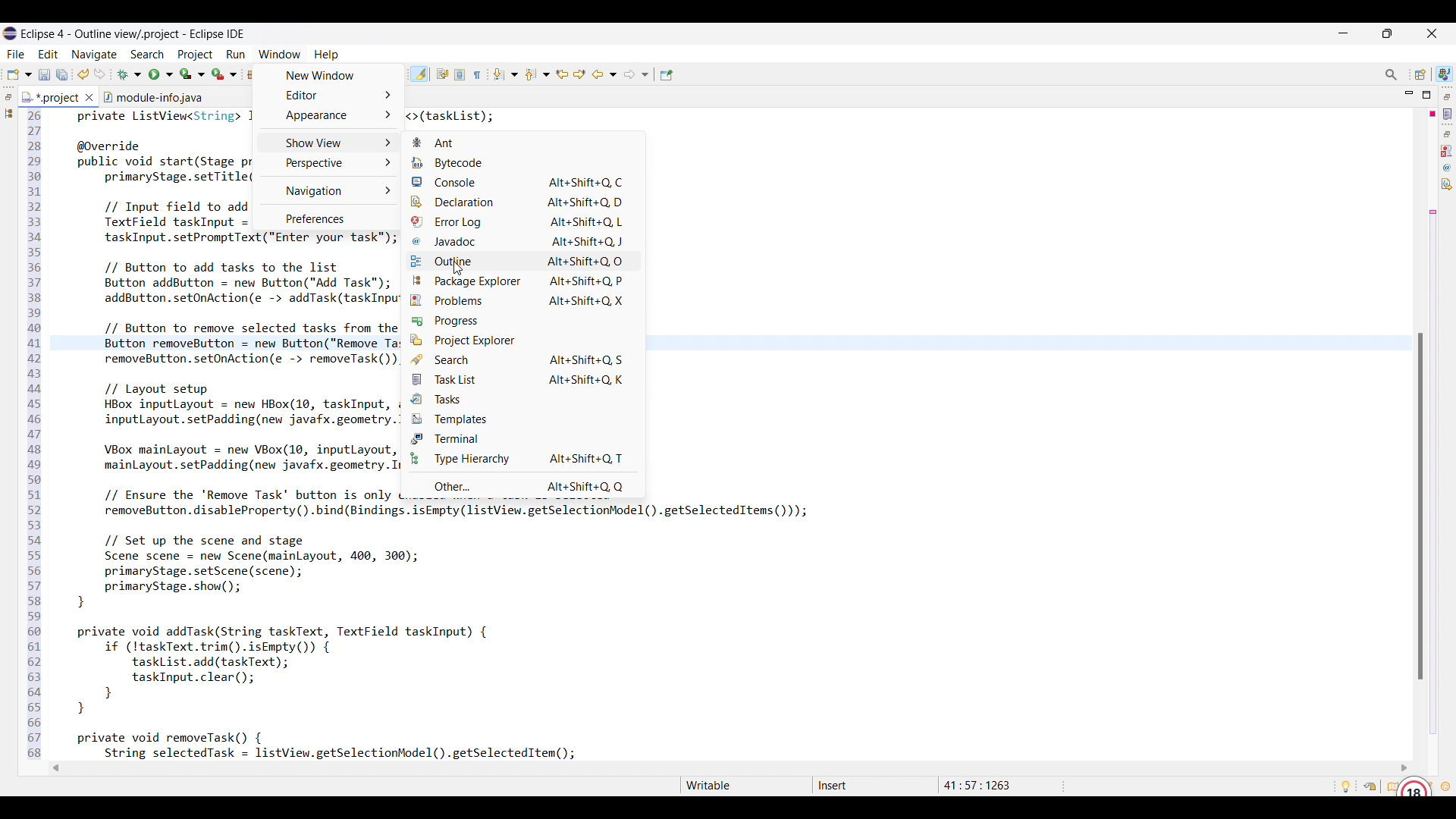  Describe the element at coordinates (8, 113) in the screenshot. I see `Package explorer` at that location.